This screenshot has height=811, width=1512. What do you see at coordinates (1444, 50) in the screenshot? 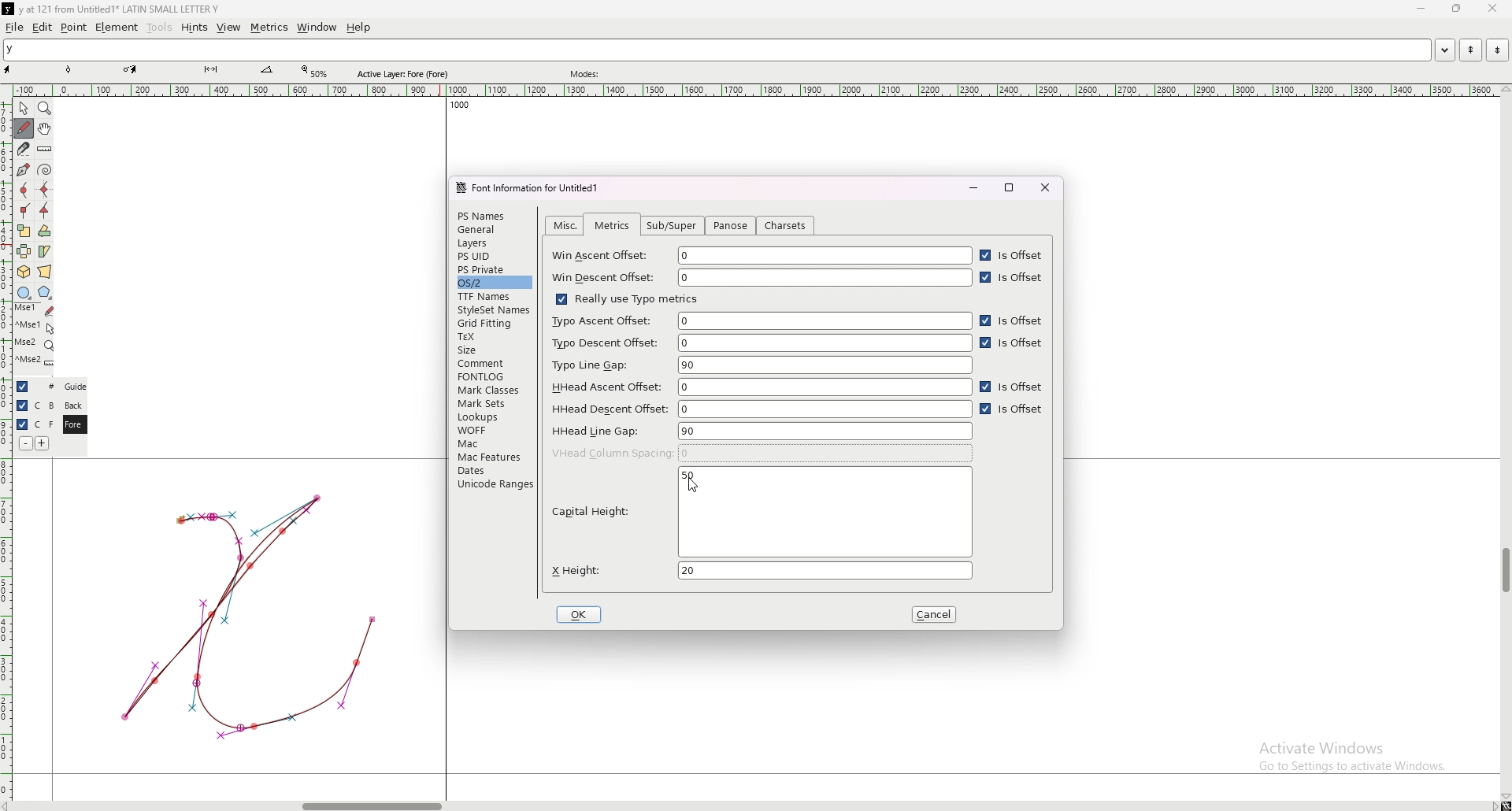
I see `open word list` at bounding box center [1444, 50].